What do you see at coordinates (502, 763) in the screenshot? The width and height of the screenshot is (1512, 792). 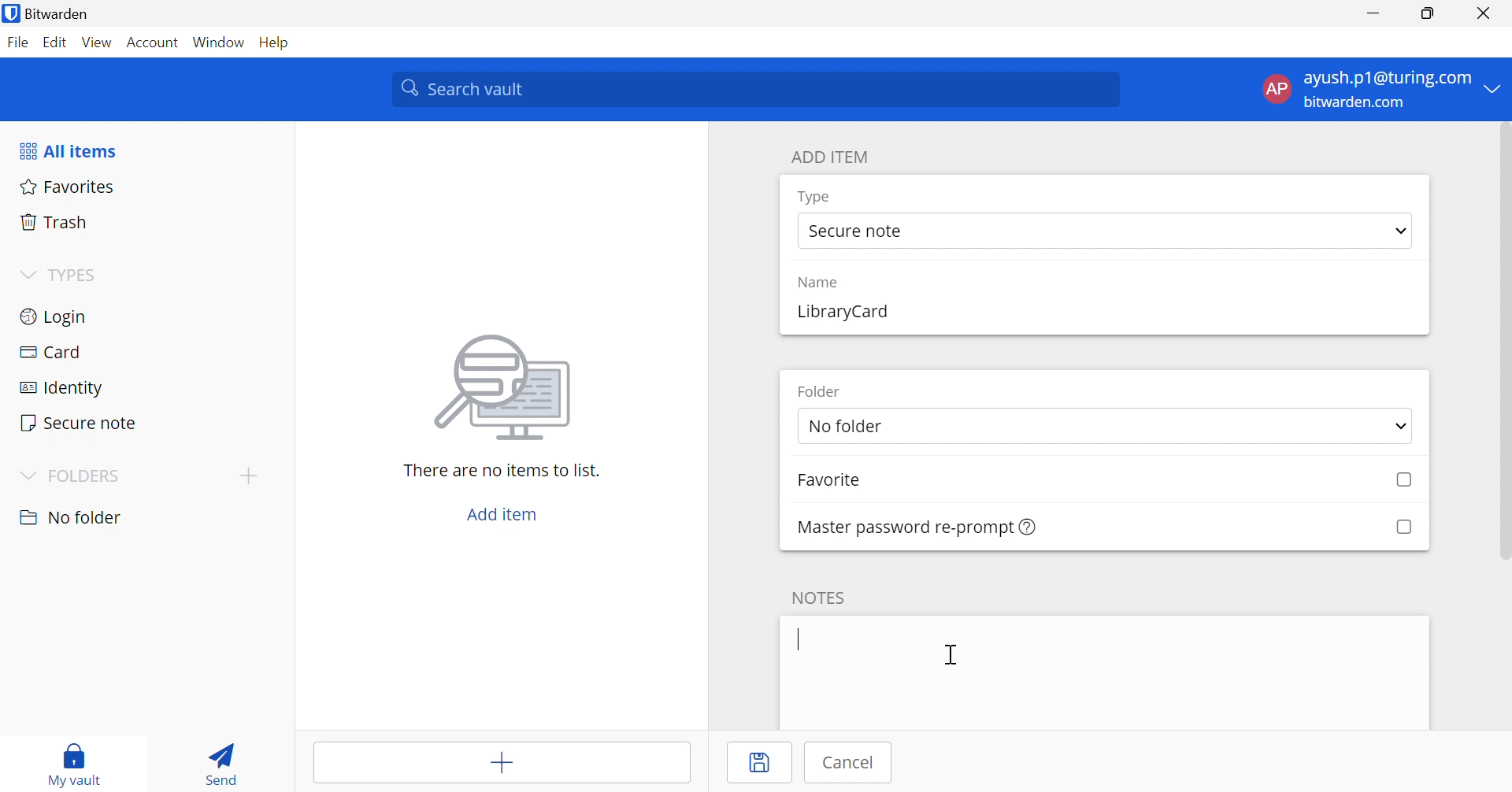 I see `Add item` at bounding box center [502, 763].